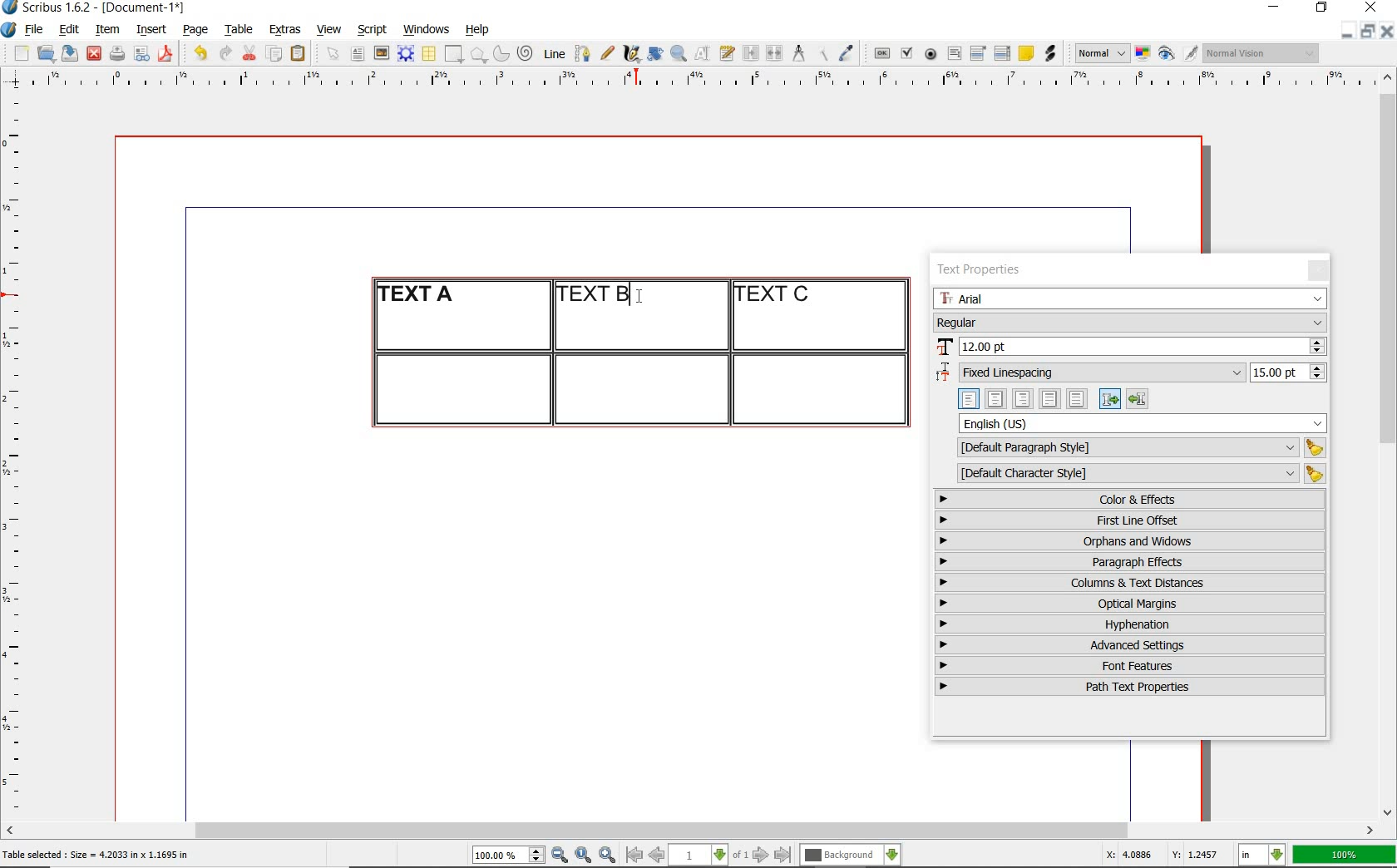 This screenshot has width=1397, height=868. I want to click on redo, so click(224, 52).